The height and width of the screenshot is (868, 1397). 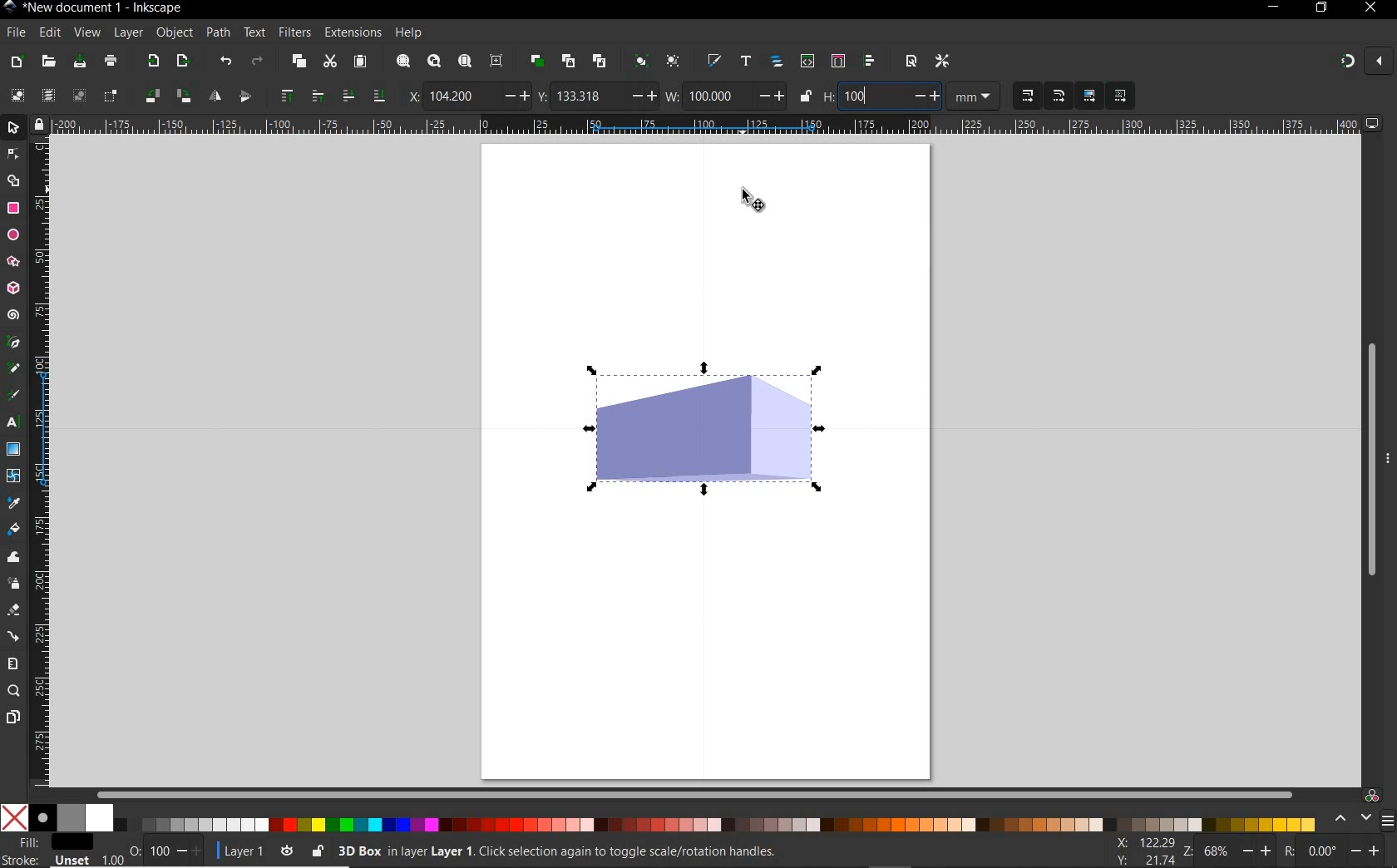 I want to click on increase/decrease, so click(x=926, y=96).